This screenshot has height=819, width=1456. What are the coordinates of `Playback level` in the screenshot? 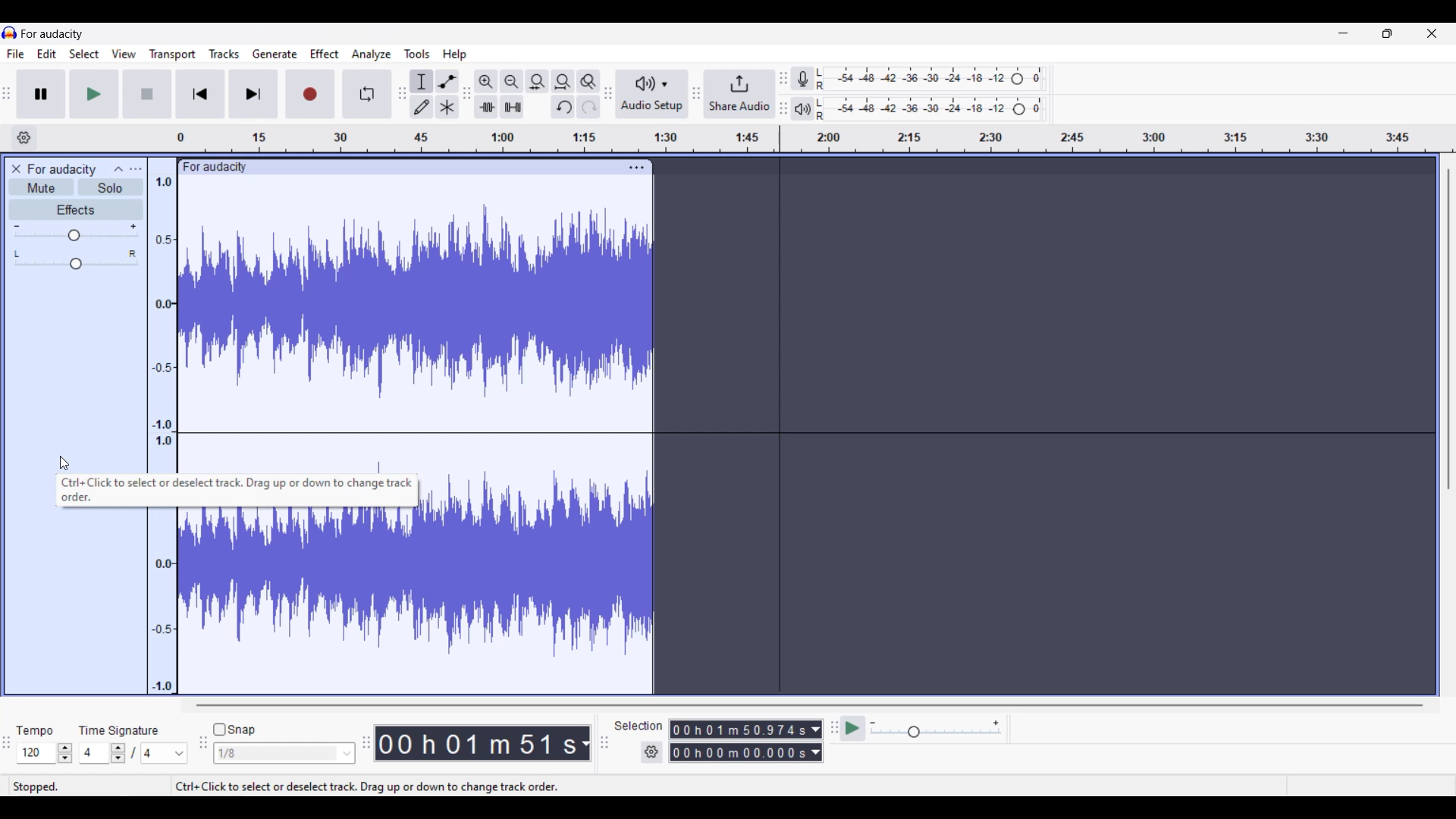 It's located at (934, 109).